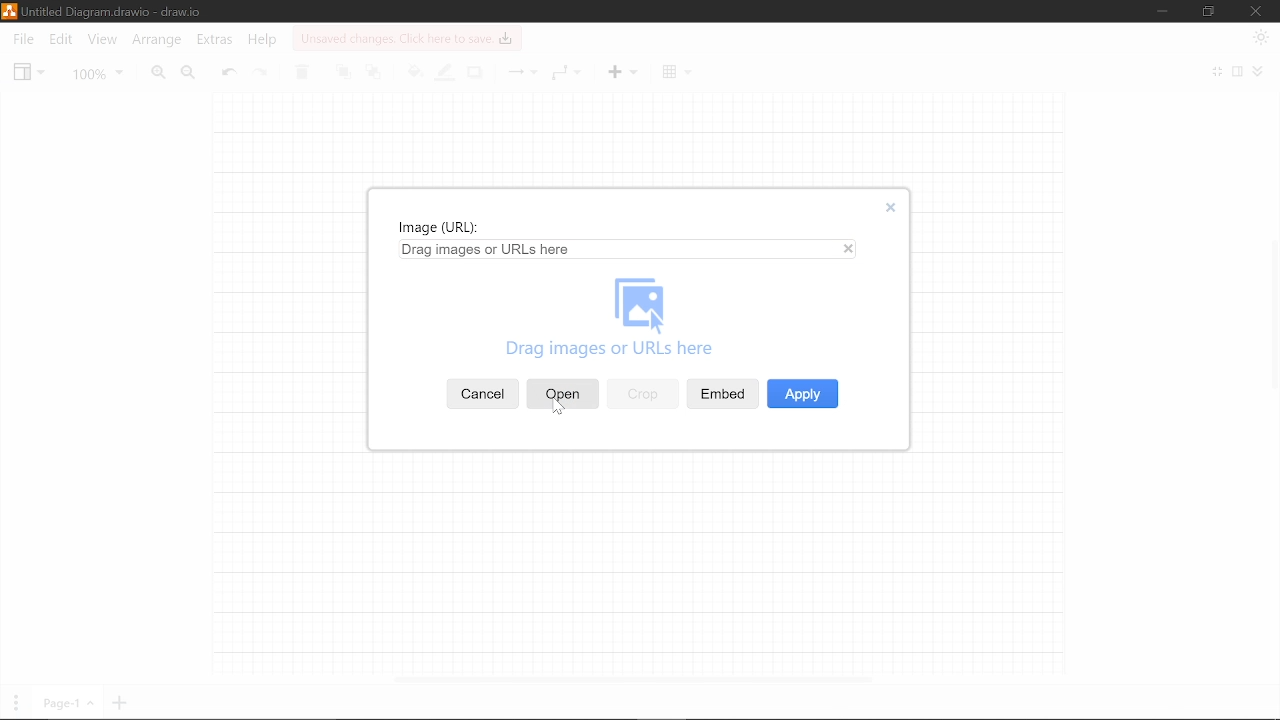  I want to click on Fill line, so click(443, 74).